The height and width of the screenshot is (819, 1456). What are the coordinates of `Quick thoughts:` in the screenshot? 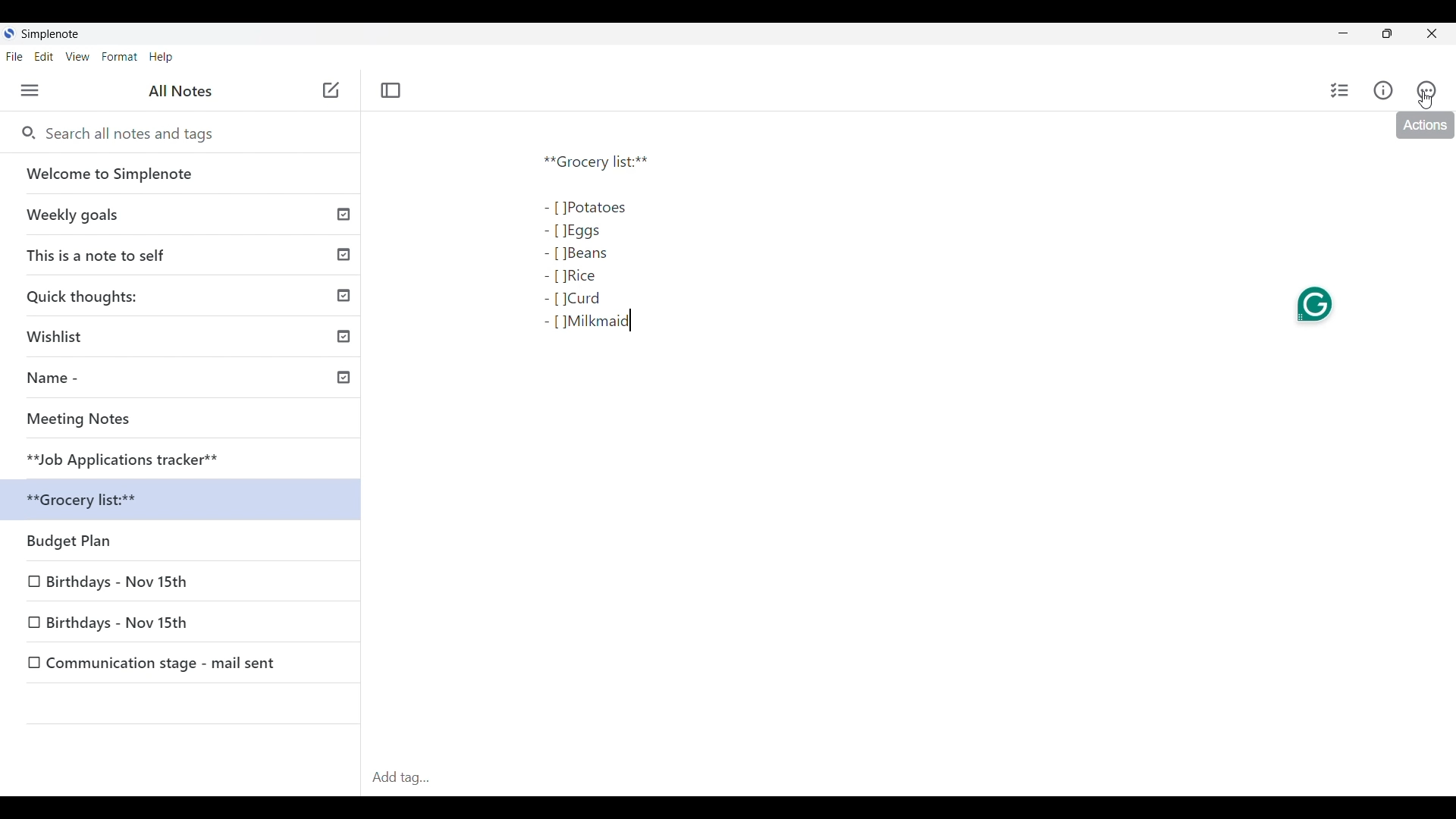 It's located at (187, 298).